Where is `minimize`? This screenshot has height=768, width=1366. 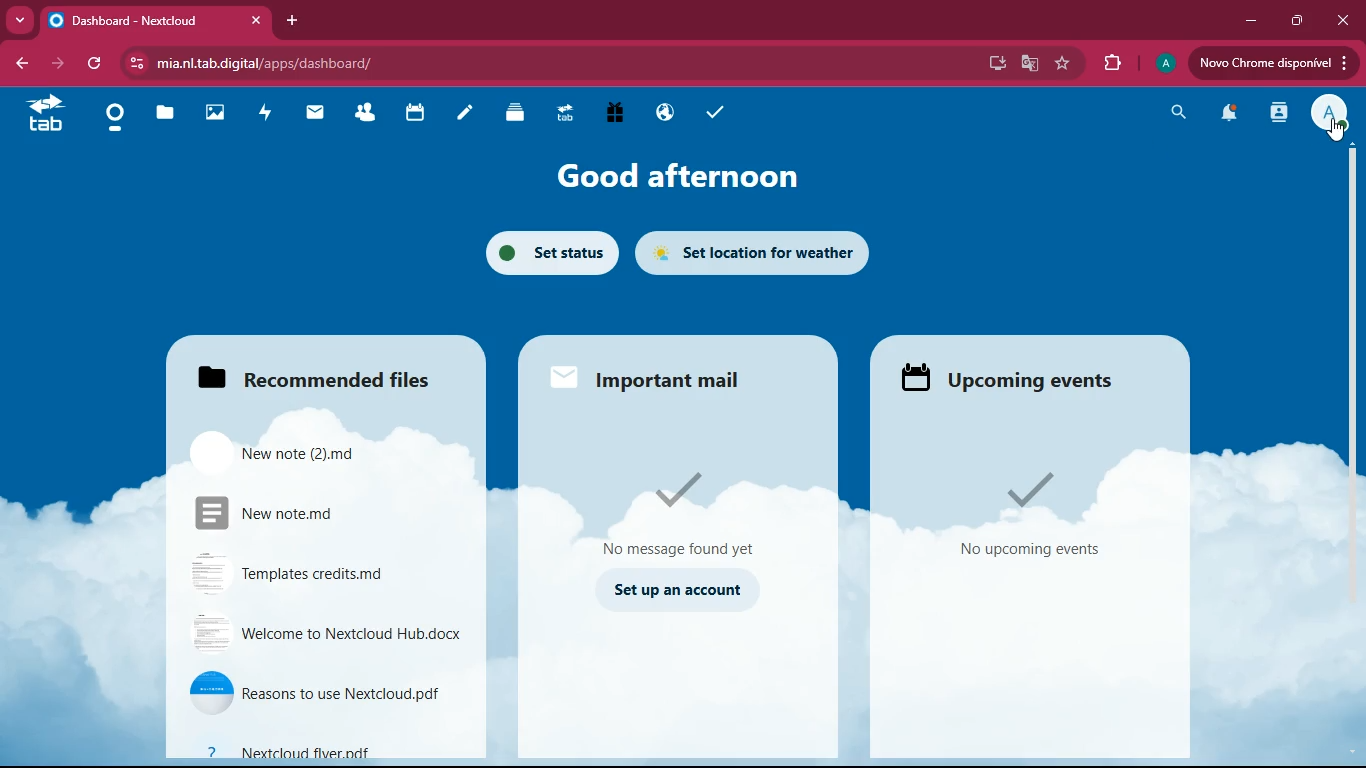 minimize is located at coordinates (1249, 20).